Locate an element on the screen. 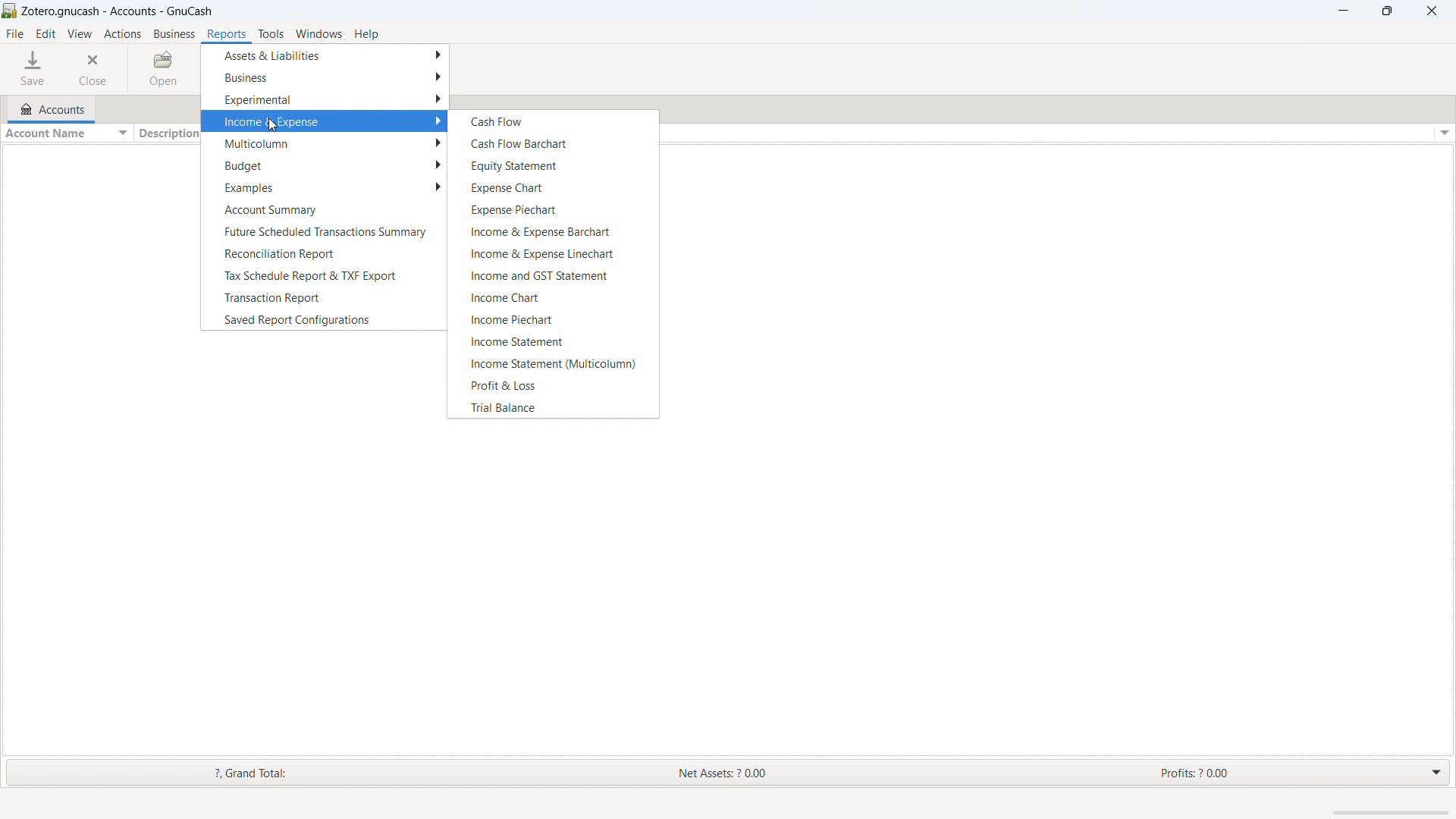  open is located at coordinates (166, 69).